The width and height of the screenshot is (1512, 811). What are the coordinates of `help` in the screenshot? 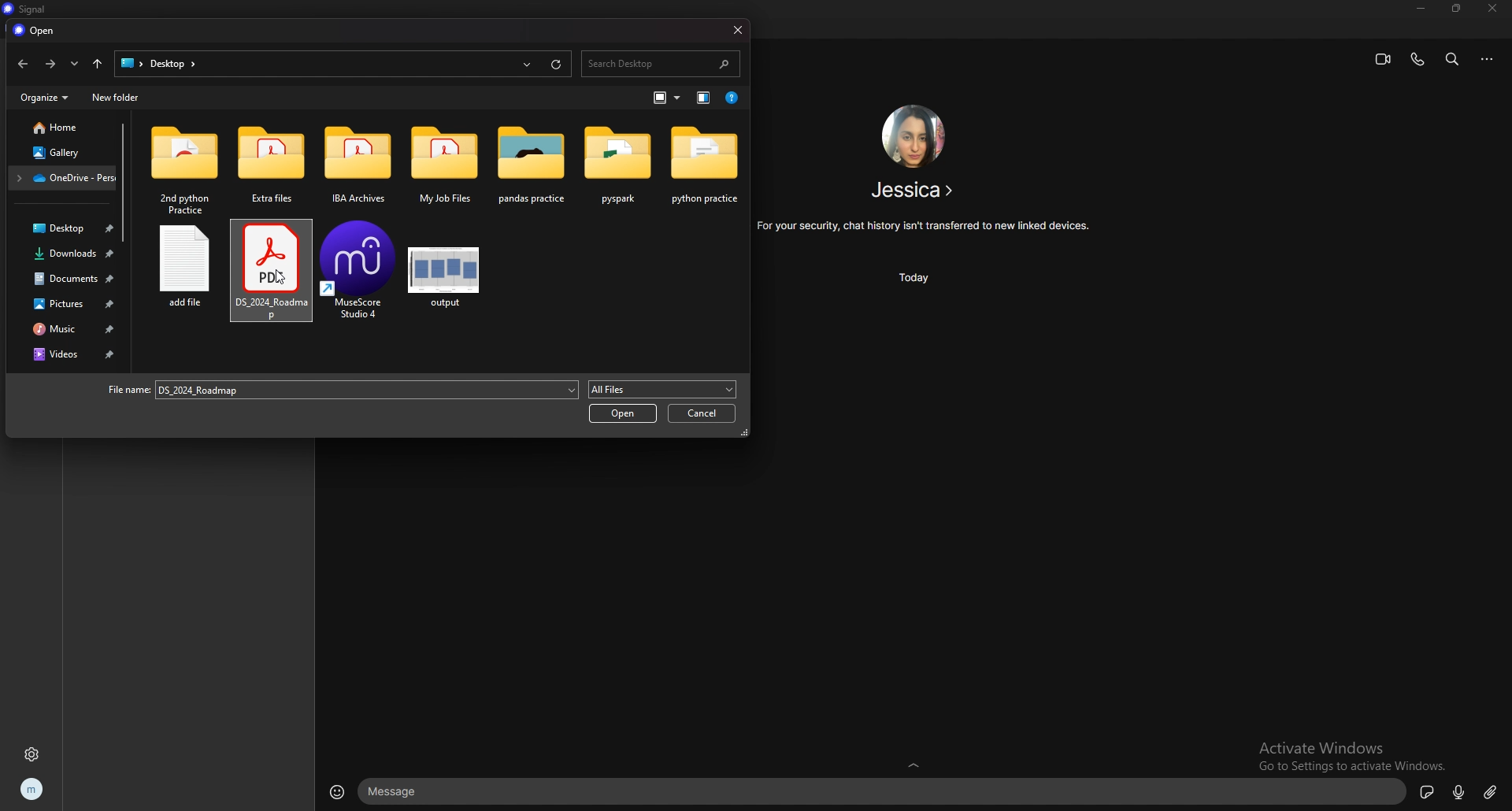 It's located at (732, 98).